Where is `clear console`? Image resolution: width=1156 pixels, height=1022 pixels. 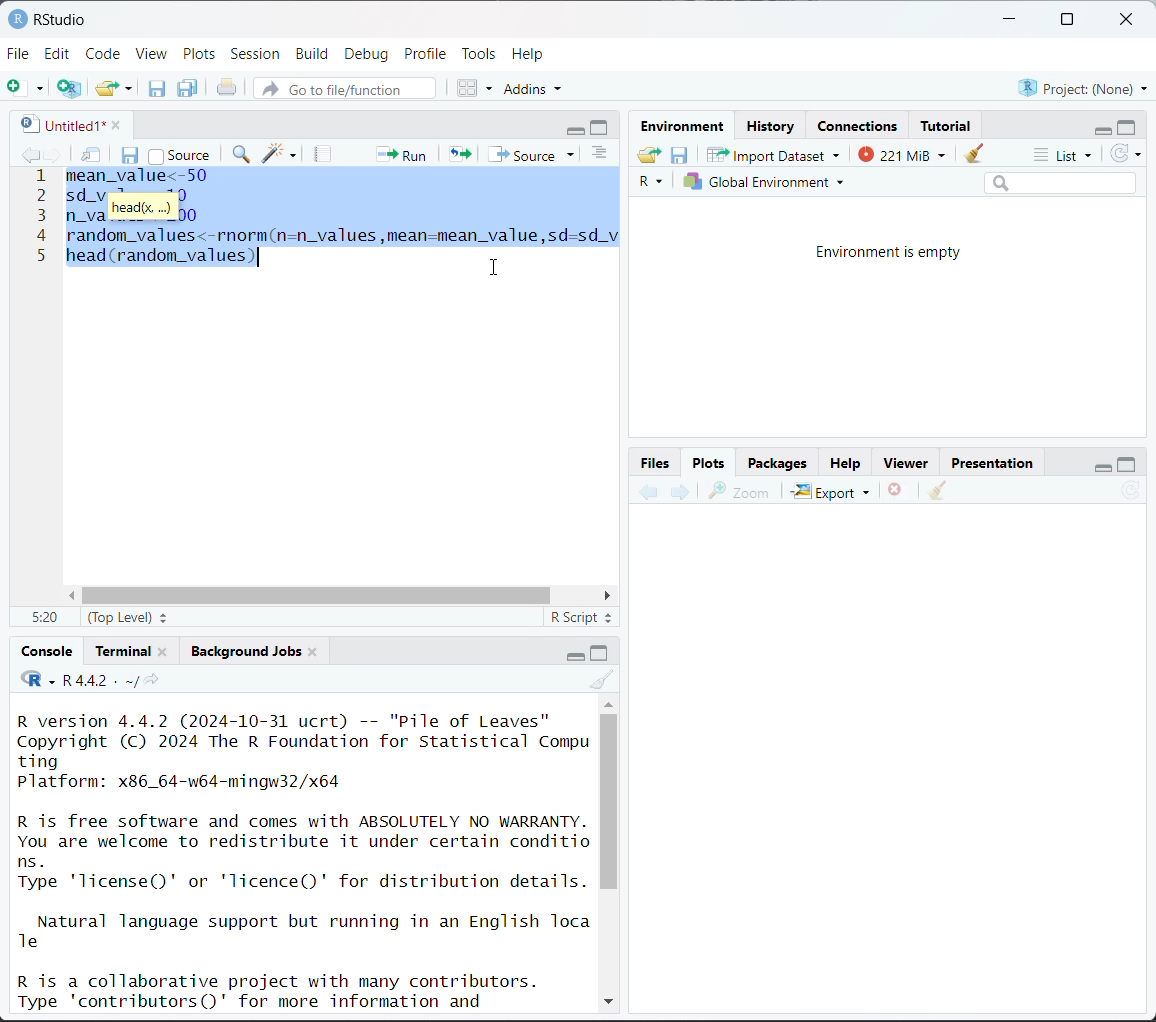 clear console is located at coordinates (604, 680).